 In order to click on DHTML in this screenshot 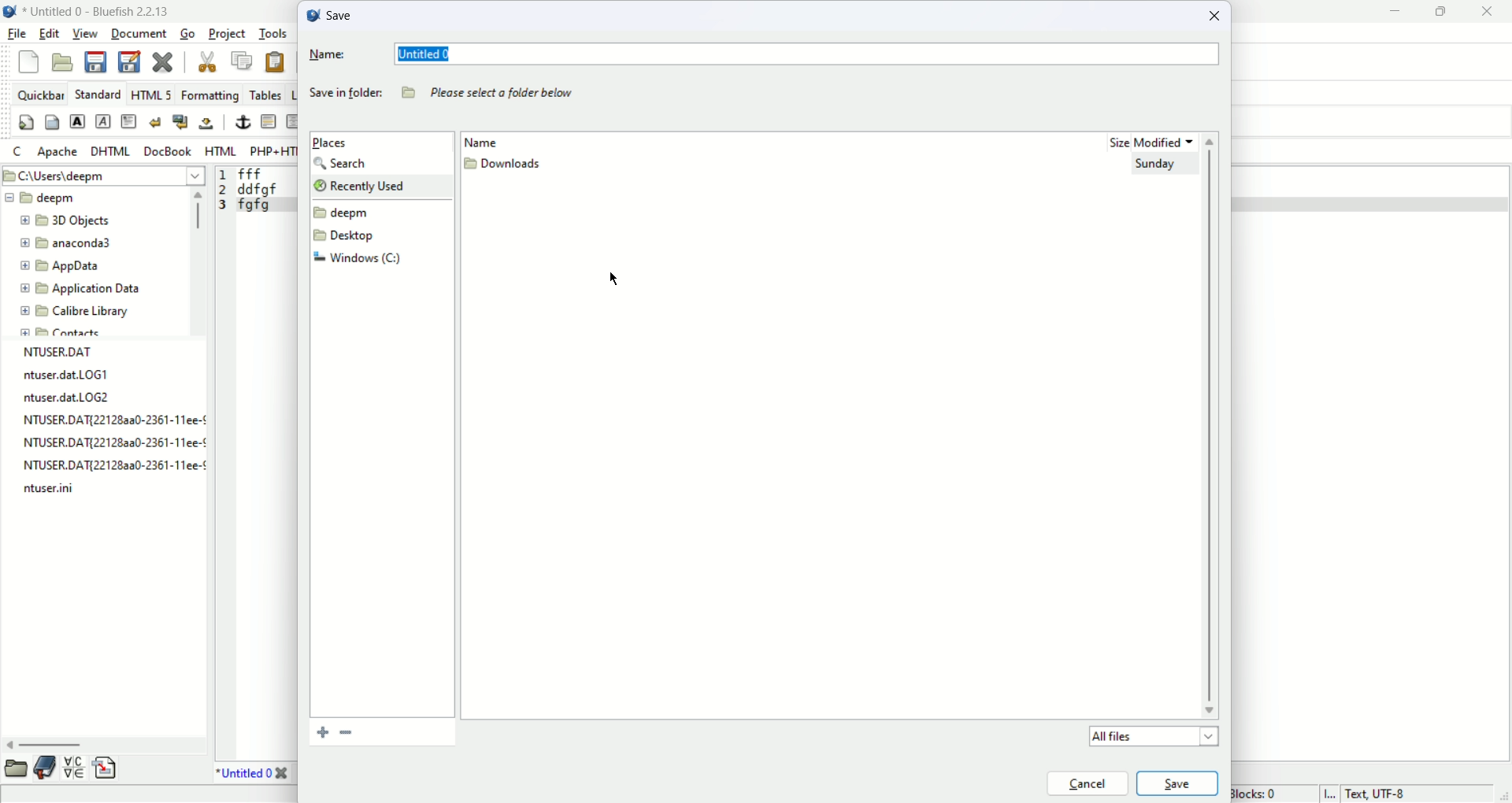, I will do `click(111, 150)`.